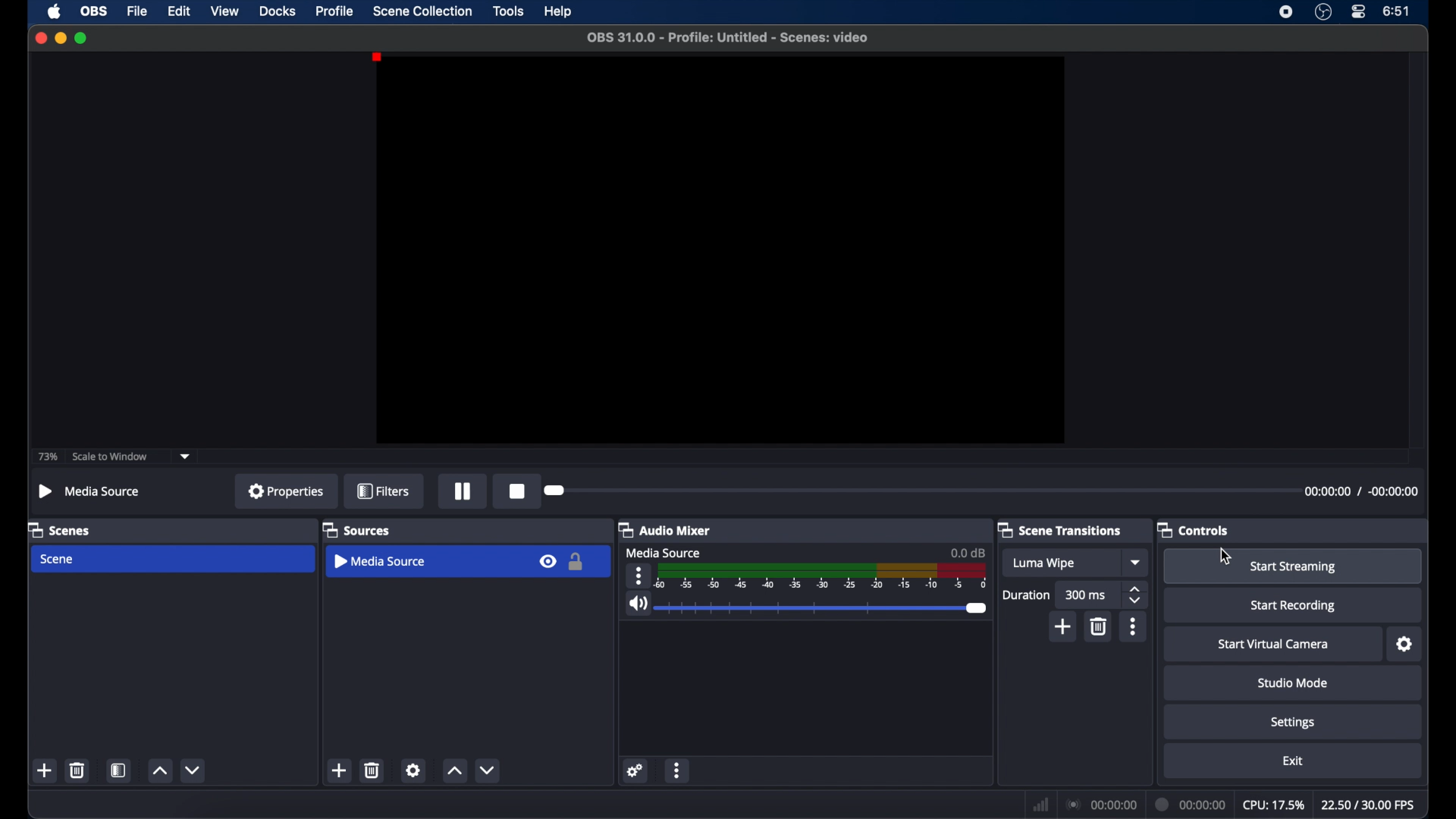 This screenshot has width=1456, height=819. I want to click on volume, so click(637, 604).